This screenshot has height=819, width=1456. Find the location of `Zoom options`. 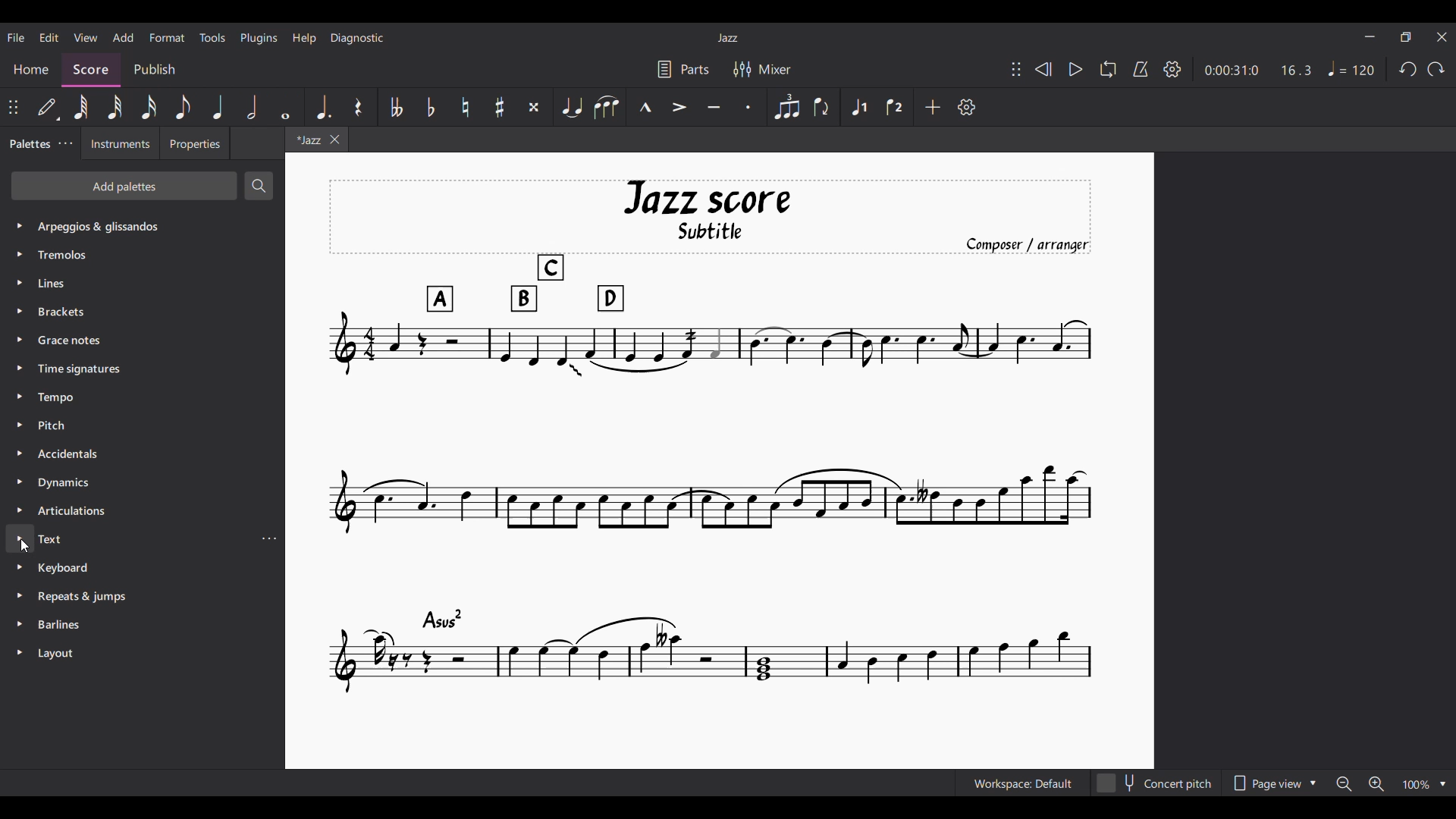

Zoom options is located at coordinates (1391, 783).